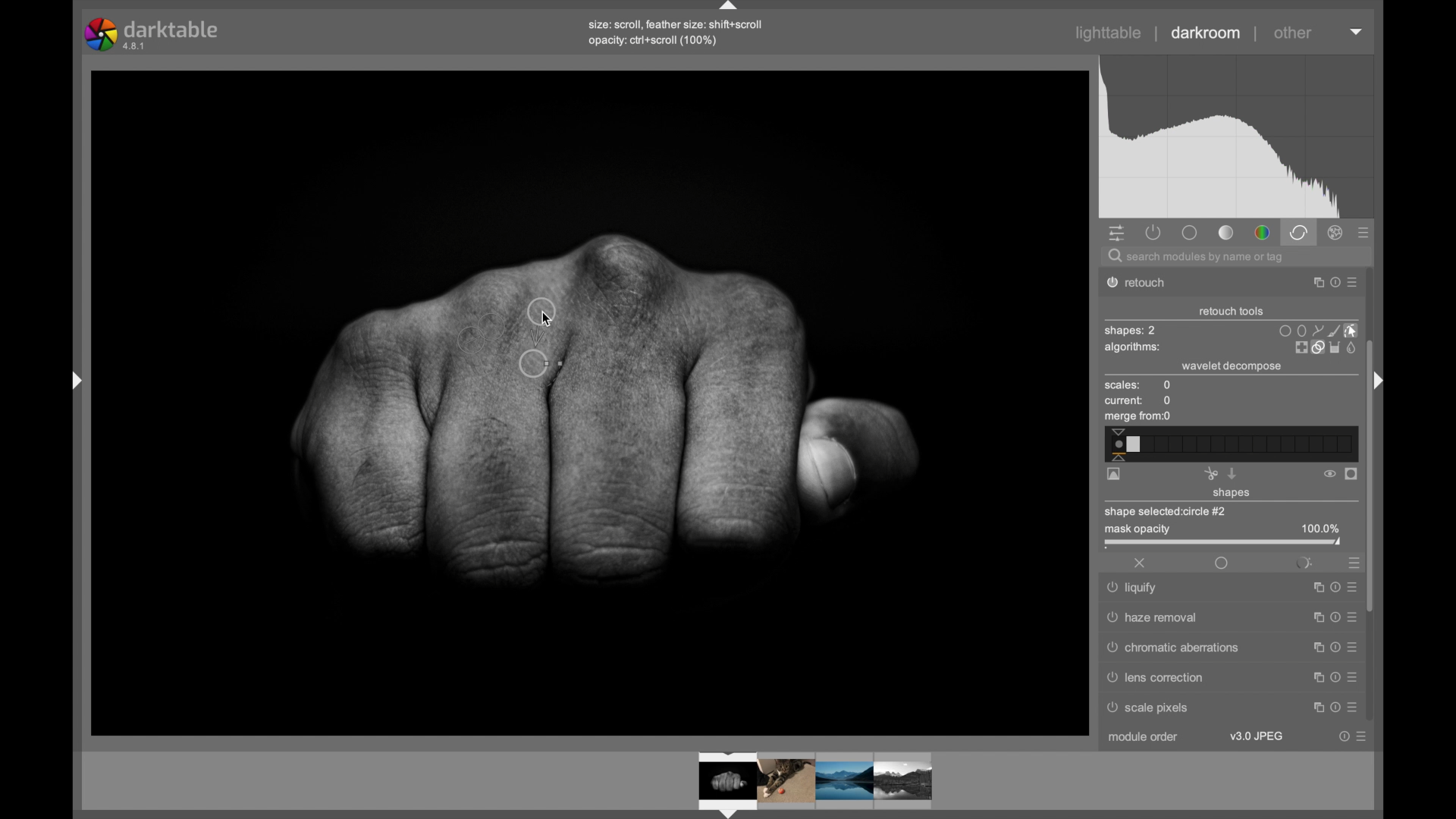 The height and width of the screenshot is (819, 1456). I want to click on cut, so click(1210, 473).